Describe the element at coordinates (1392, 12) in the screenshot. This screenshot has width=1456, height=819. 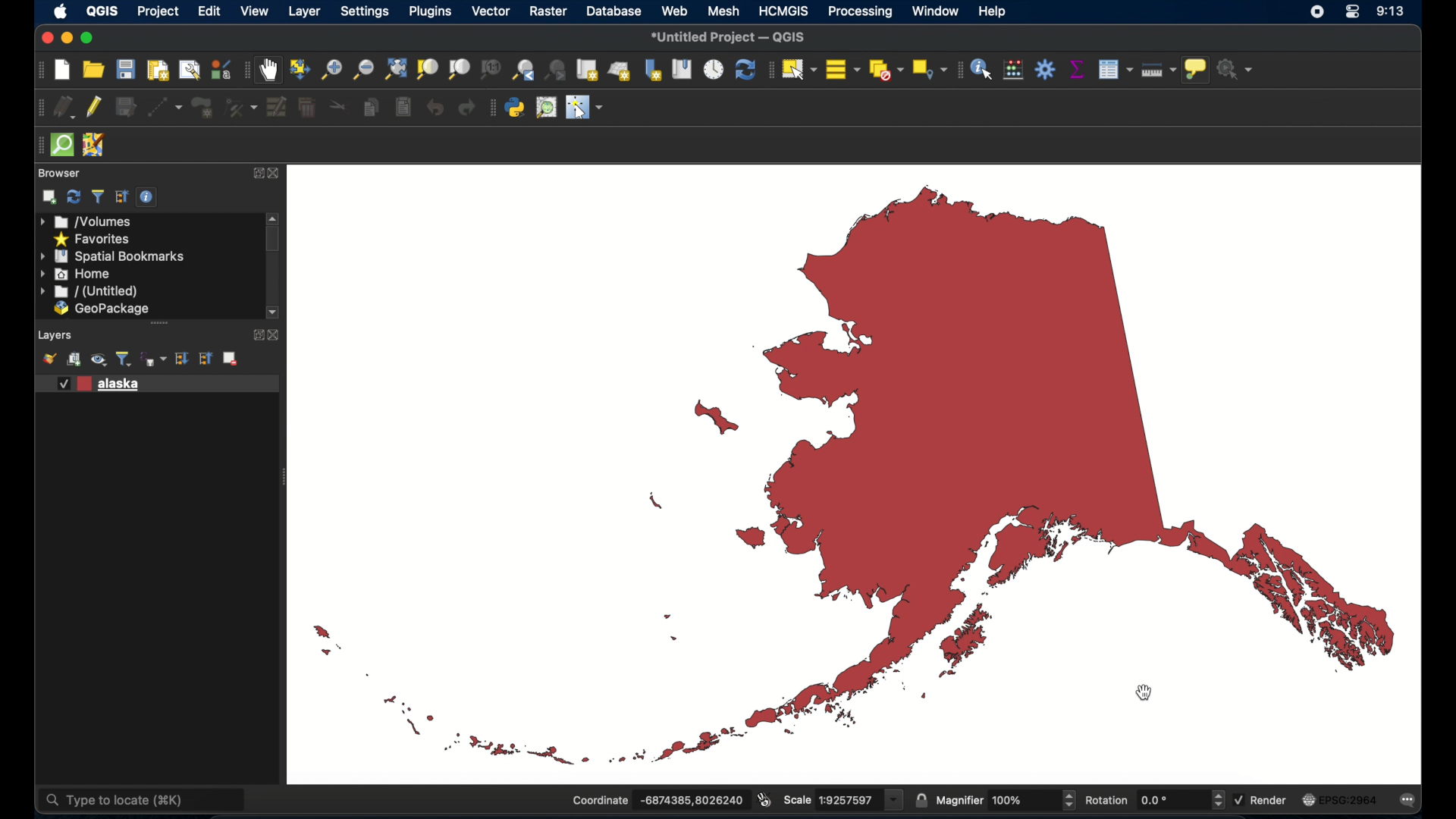
I see `time` at that location.